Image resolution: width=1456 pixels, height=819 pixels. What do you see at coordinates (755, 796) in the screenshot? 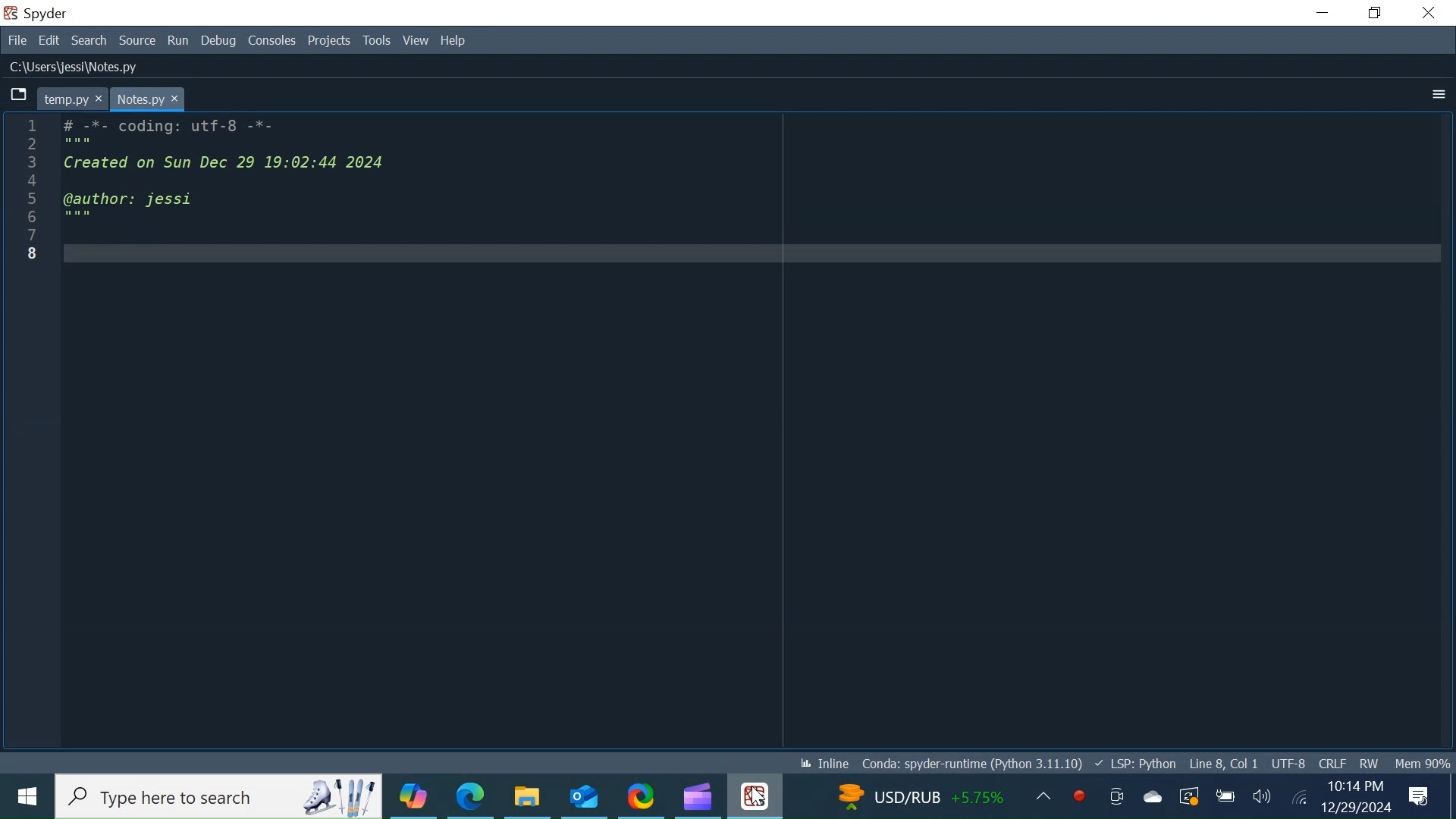
I see `Cursor` at bounding box center [755, 796].